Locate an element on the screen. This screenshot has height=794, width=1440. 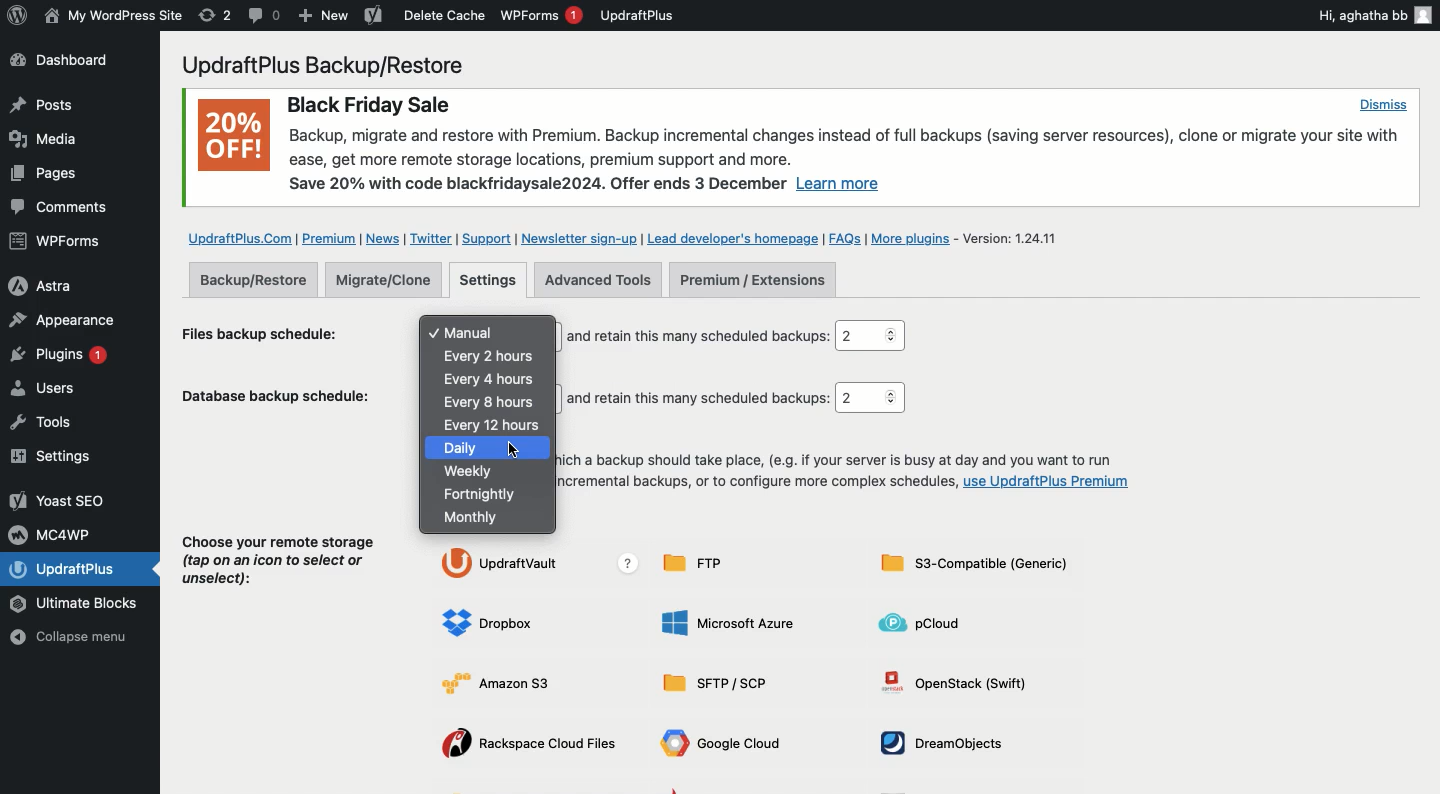
Sftp SCP is located at coordinates (722, 684).